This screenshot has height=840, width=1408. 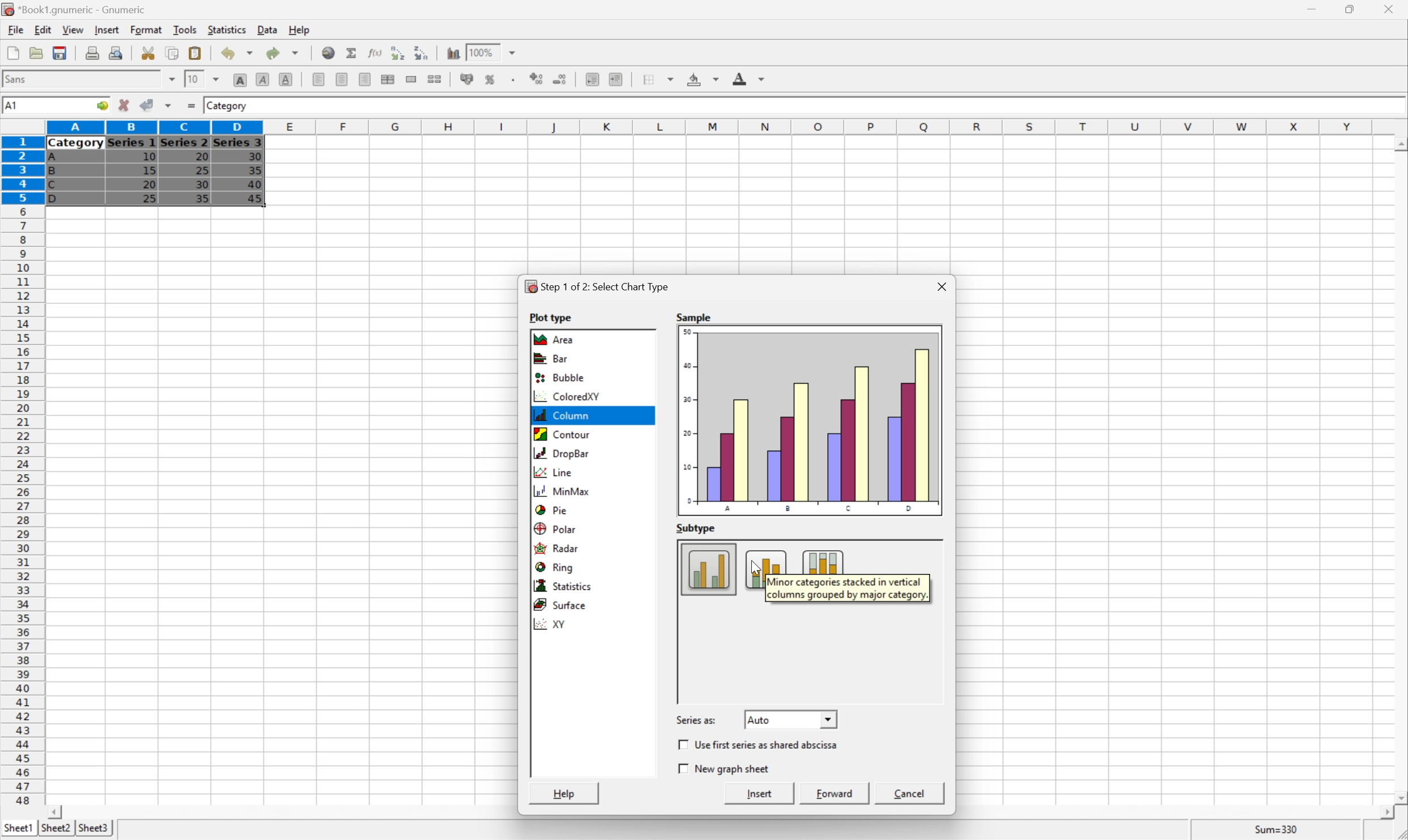 I want to click on Sort the selected region in descending order based on the first column selected, so click(x=420, y=52).